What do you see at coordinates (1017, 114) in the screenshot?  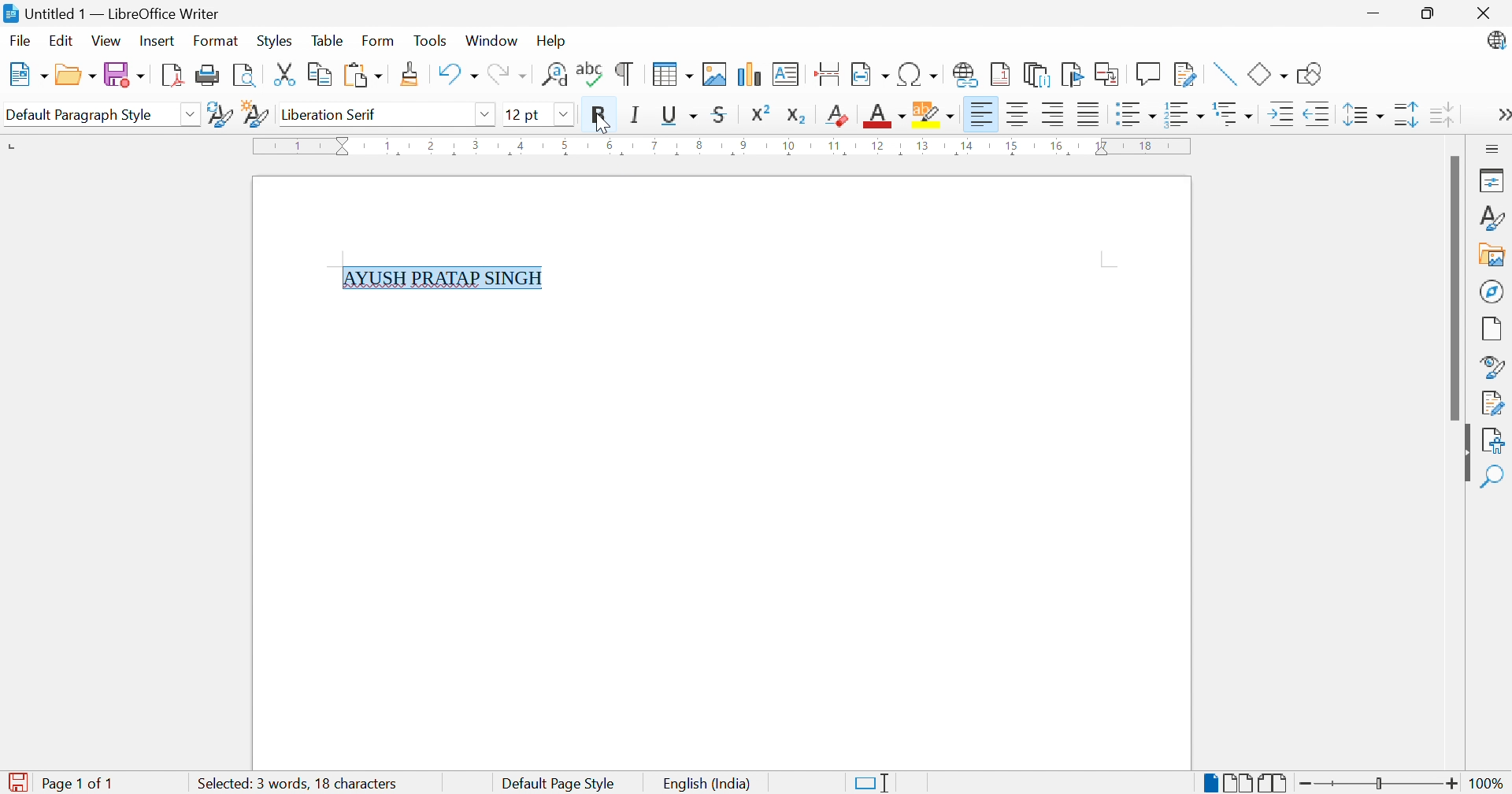 I see `Align Center` at bounding box center [1017, 114].